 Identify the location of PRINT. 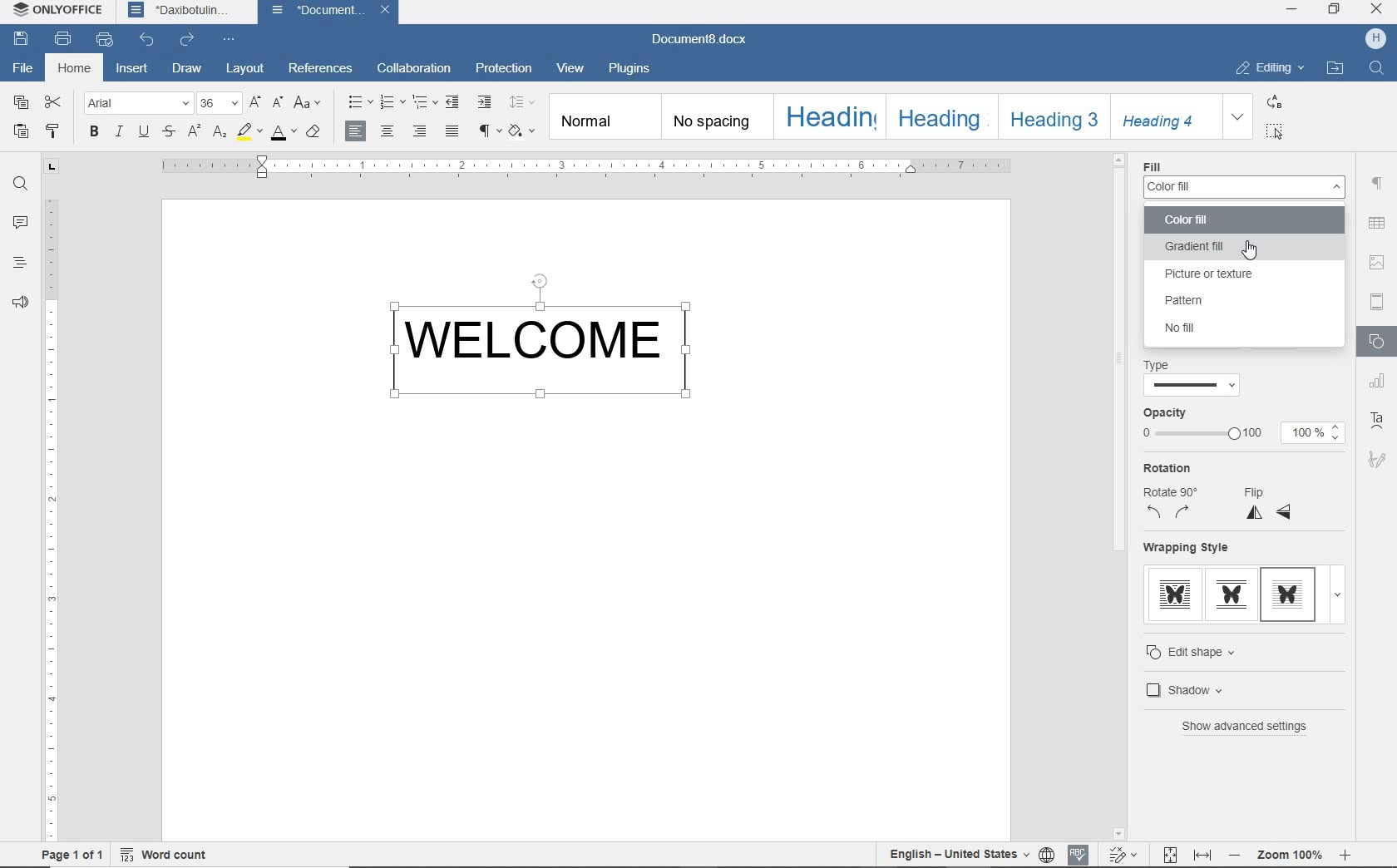
(62, 39).